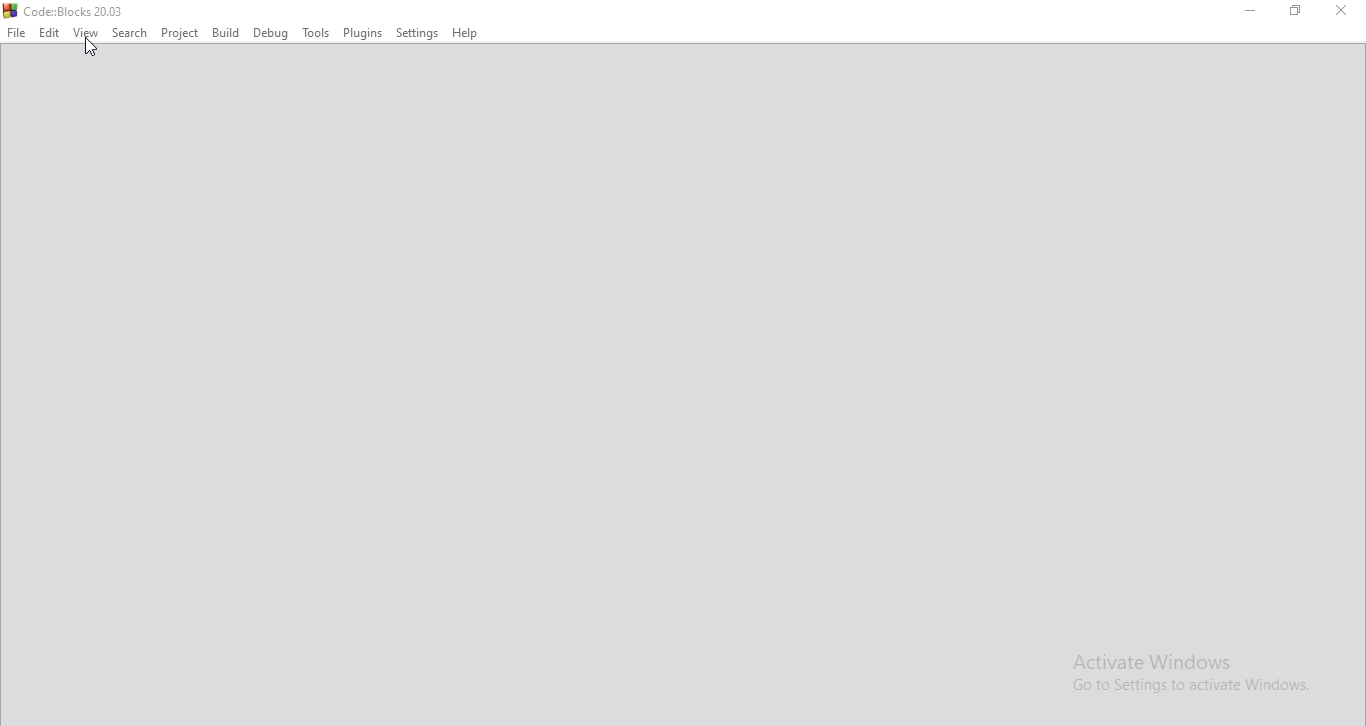 This screenshot has height=726, width=1366. I want to click on Build , so click(226, 32).